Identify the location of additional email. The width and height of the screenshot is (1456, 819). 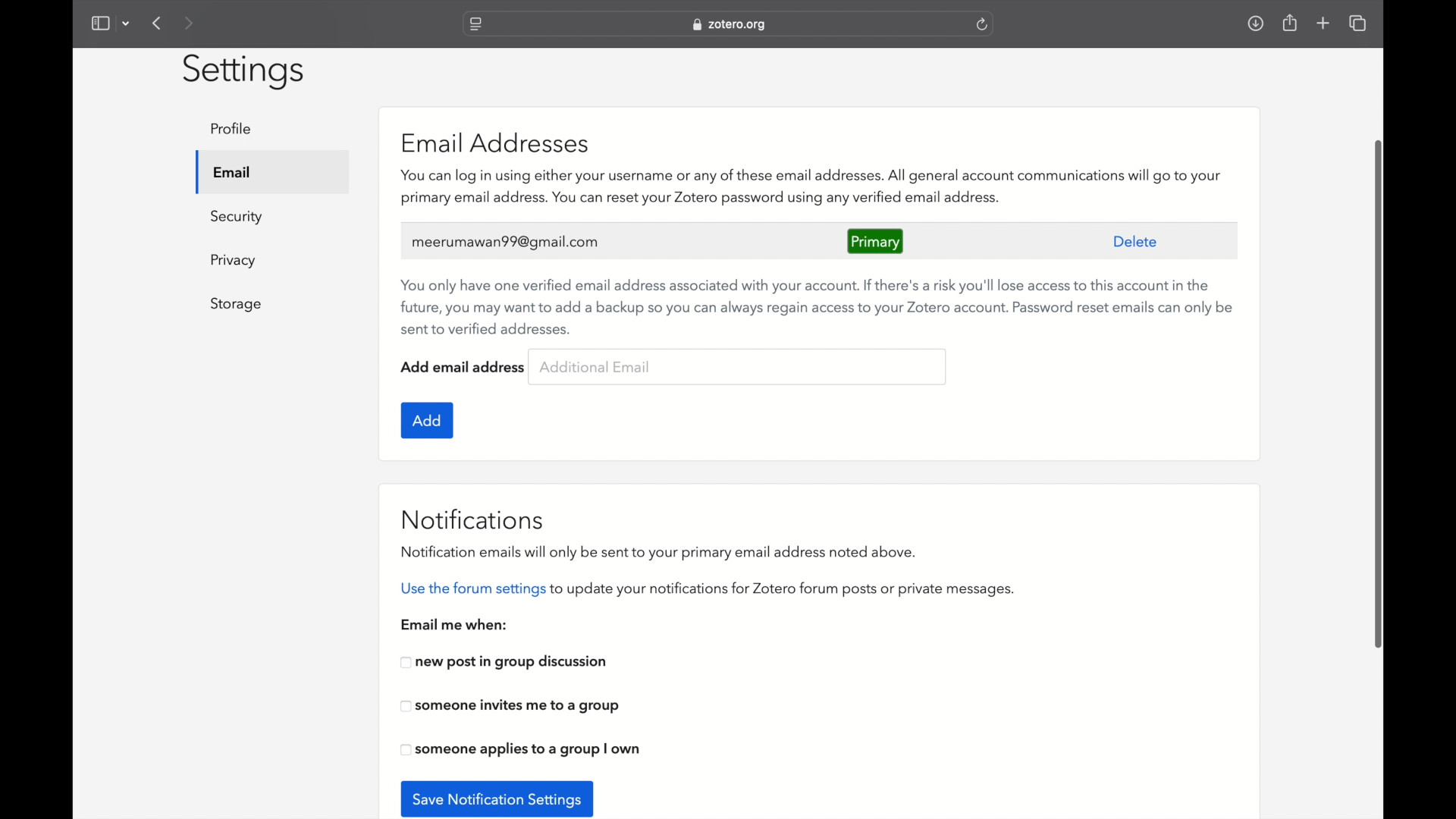
(596, 366).